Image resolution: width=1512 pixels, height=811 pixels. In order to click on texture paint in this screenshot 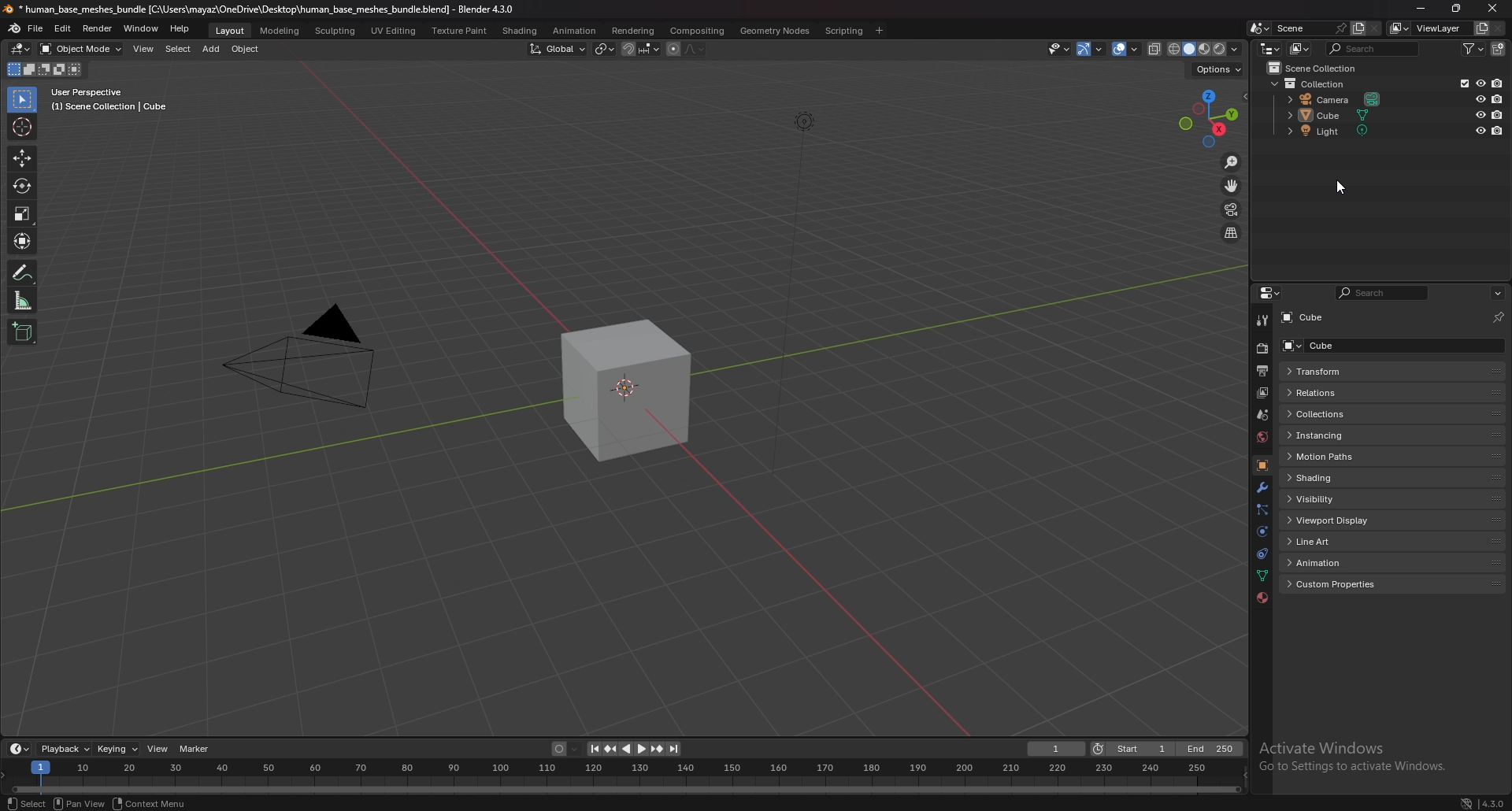, I will do `click(461, 31)`.